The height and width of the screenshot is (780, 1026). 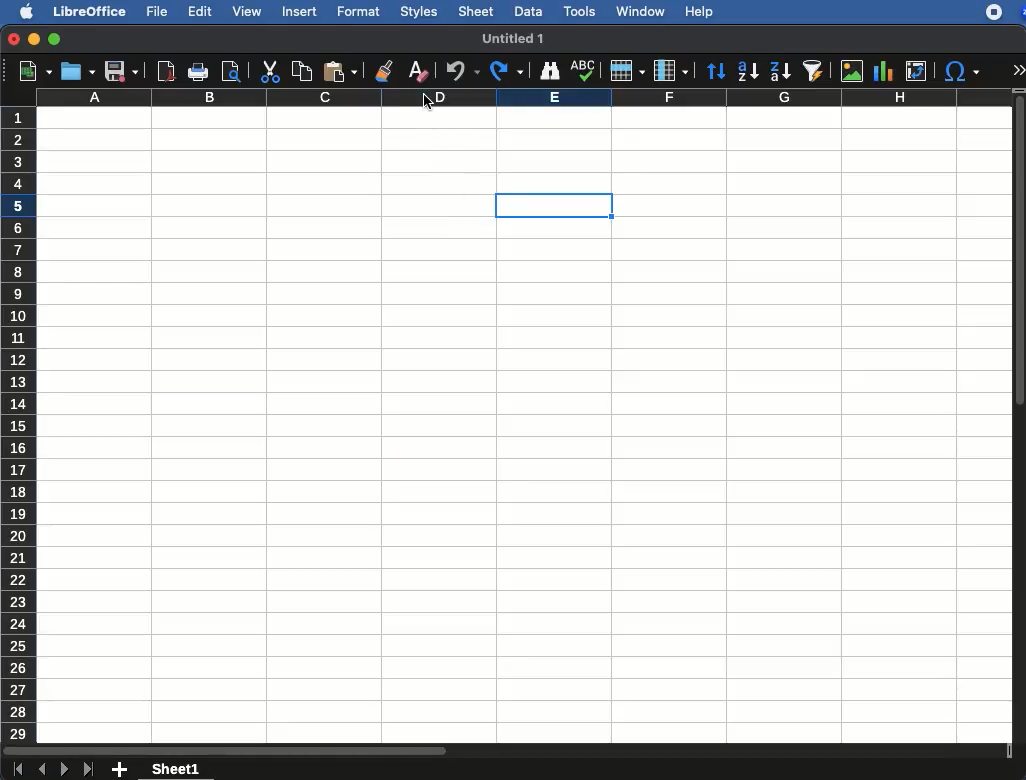 What do you see at coordinates (475, 12) in the screenshot?
I see `sheet` at bounding box center [475, 12].